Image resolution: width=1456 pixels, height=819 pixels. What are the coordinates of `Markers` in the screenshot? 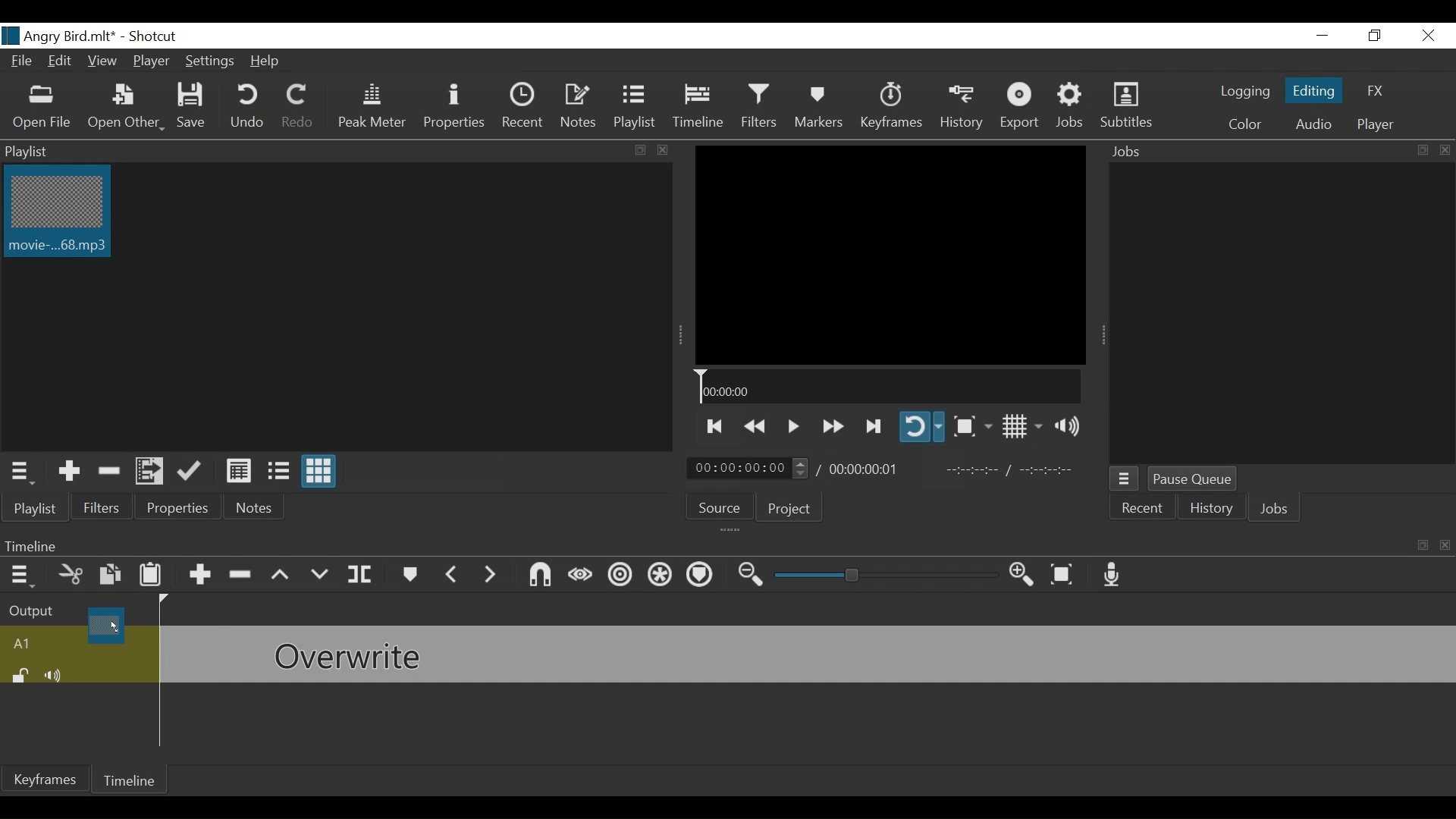 It's located at (818, 105).